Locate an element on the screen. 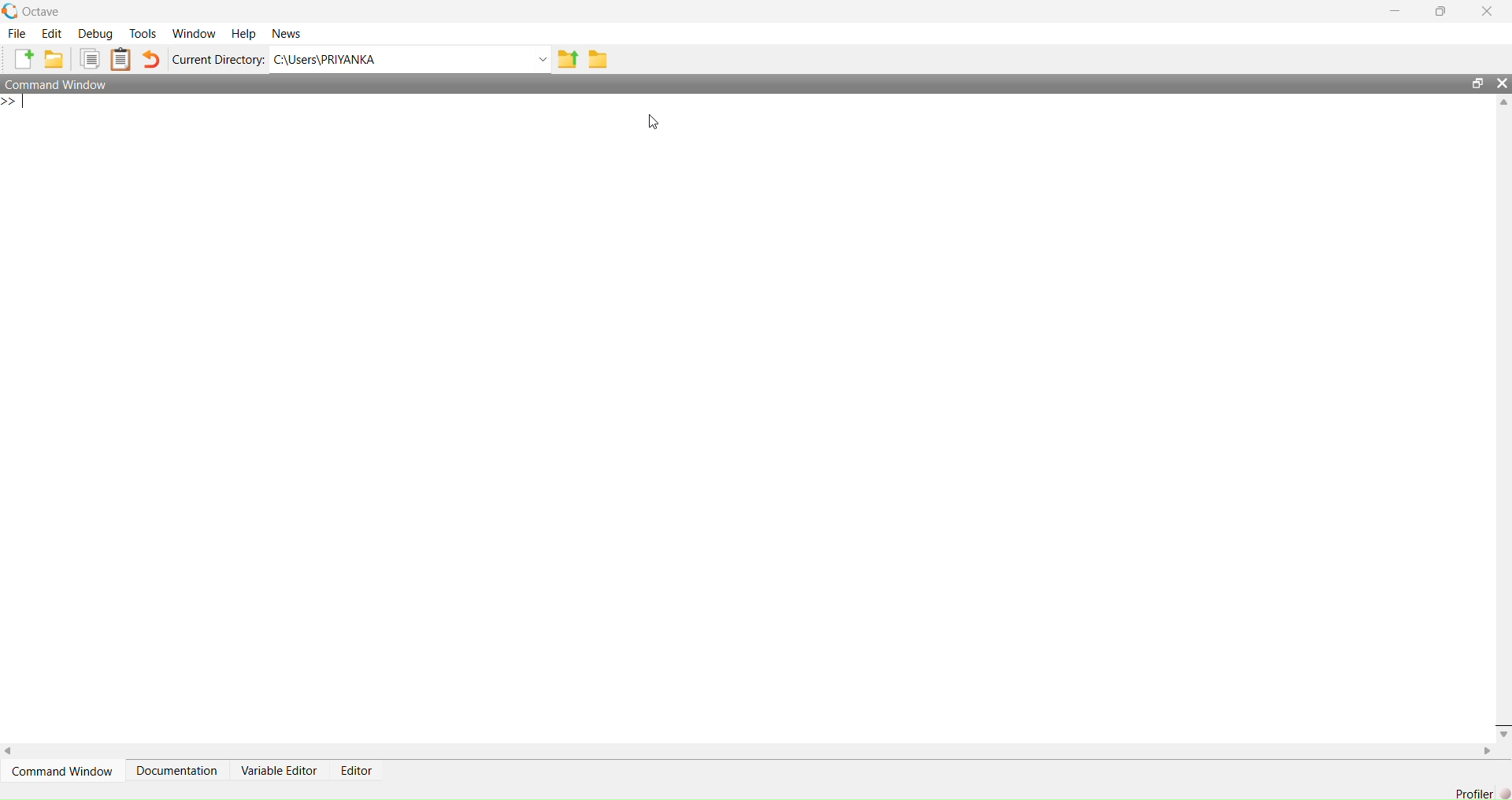 This screenshot has height=800, width=1512. Minimize is located at coordinates (1399, 12).